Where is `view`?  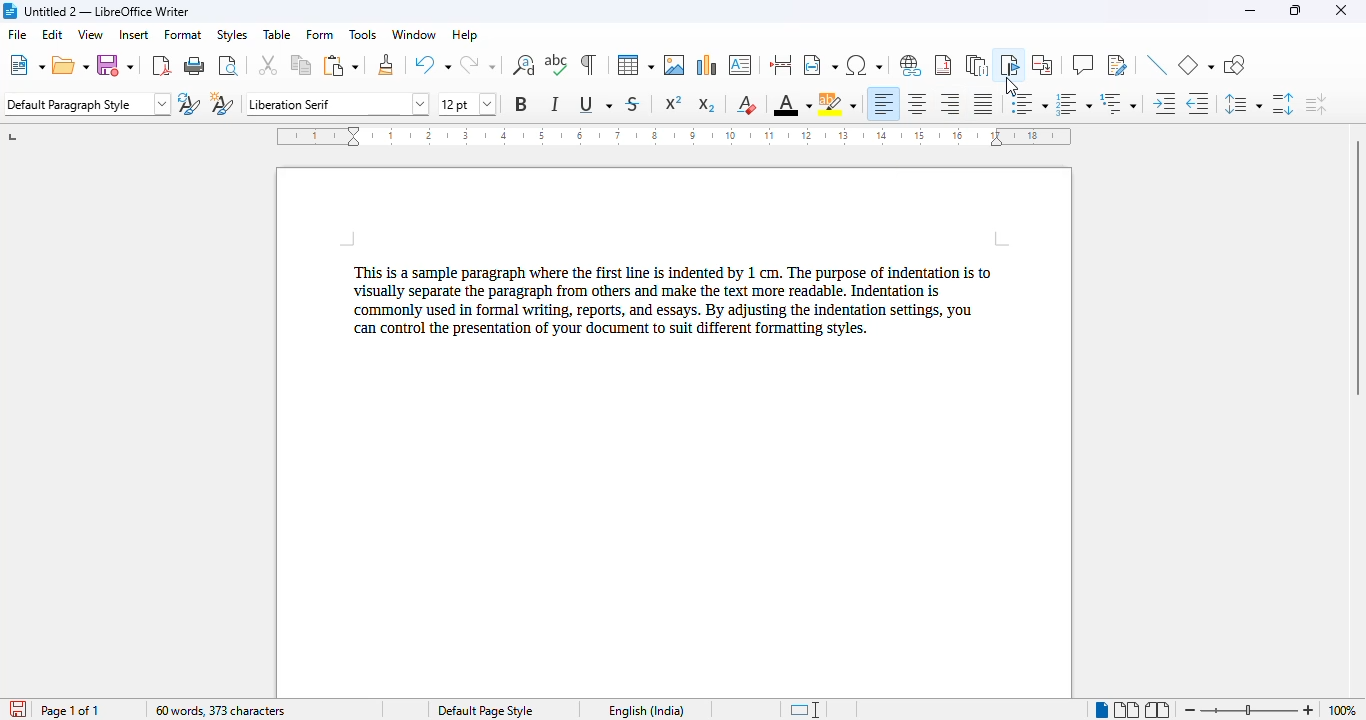
view is located at coordinates (90, 34).